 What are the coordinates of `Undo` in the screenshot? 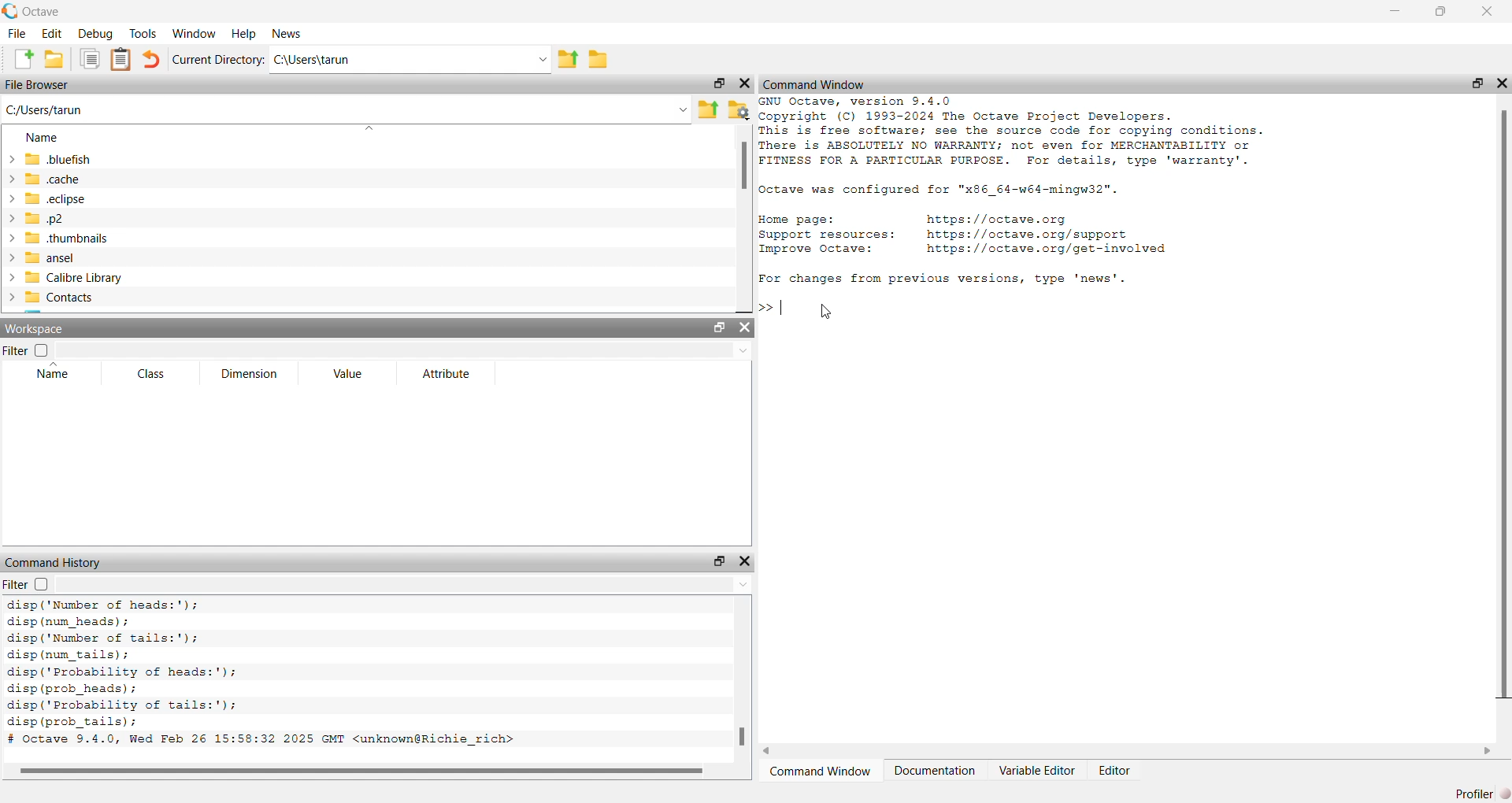 It's located at (152, 59).